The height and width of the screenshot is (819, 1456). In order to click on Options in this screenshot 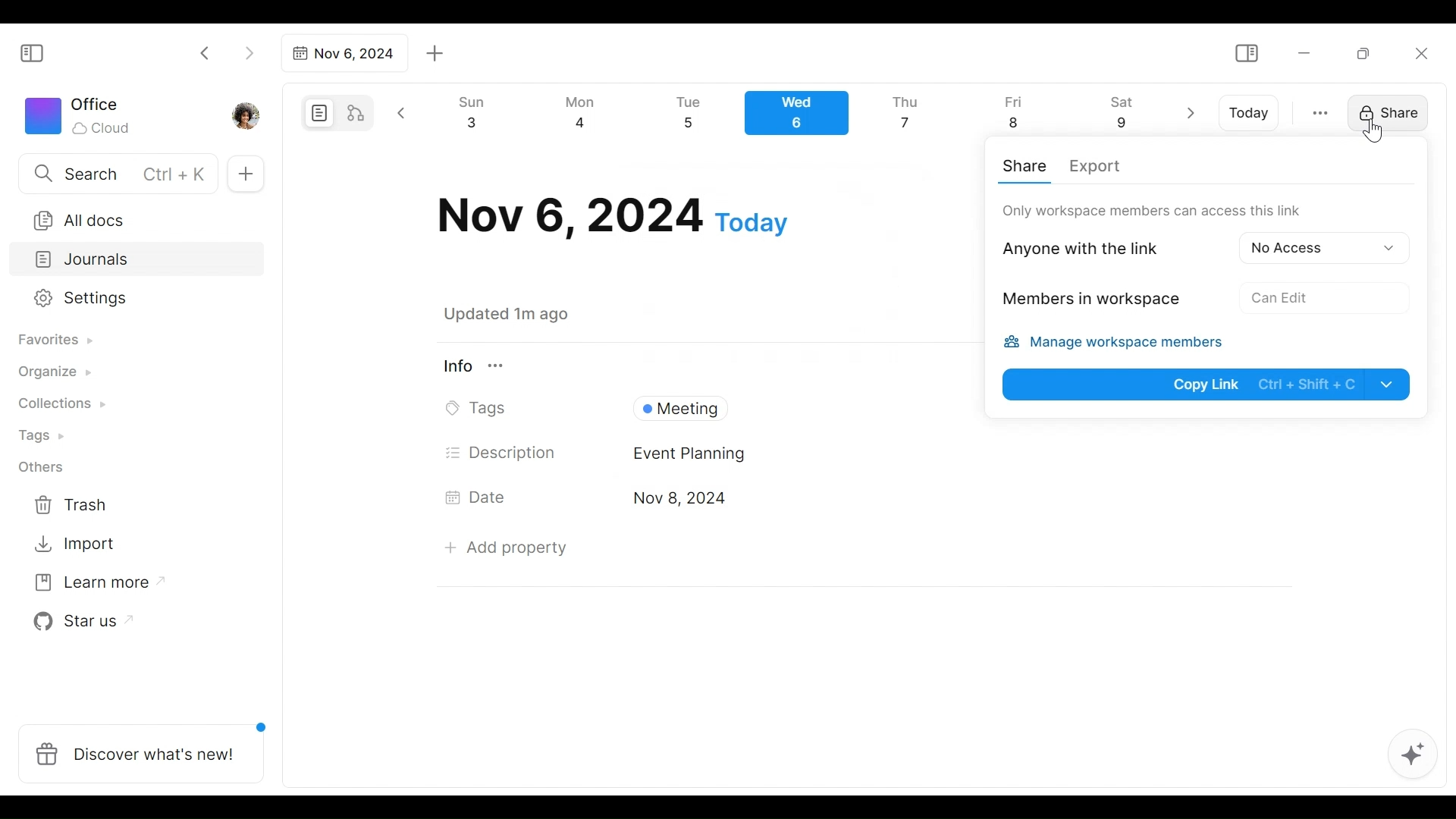, I will do `click(1319, 246)`.